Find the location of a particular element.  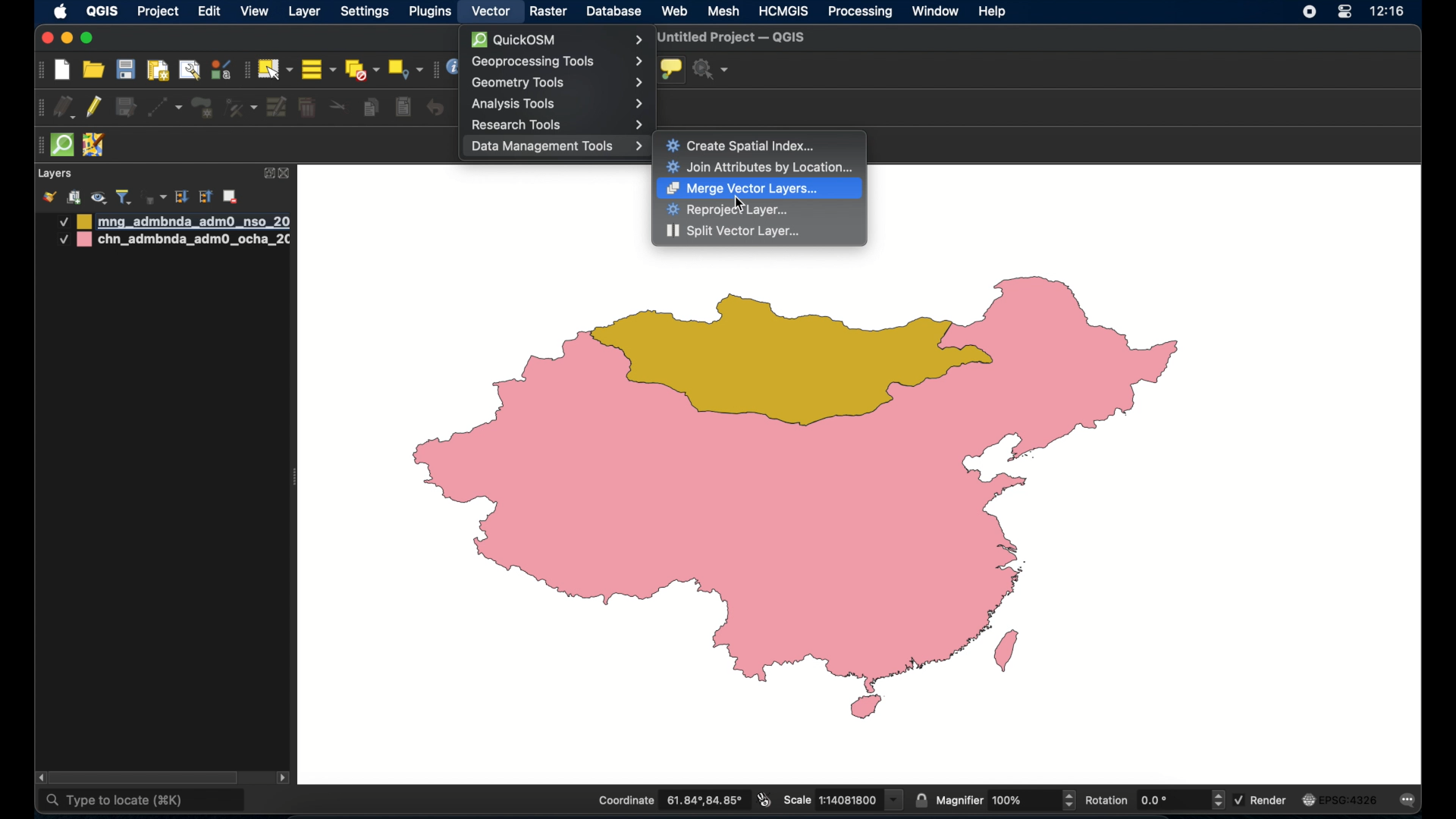

manage map theme is located at coordinates (98, 198).